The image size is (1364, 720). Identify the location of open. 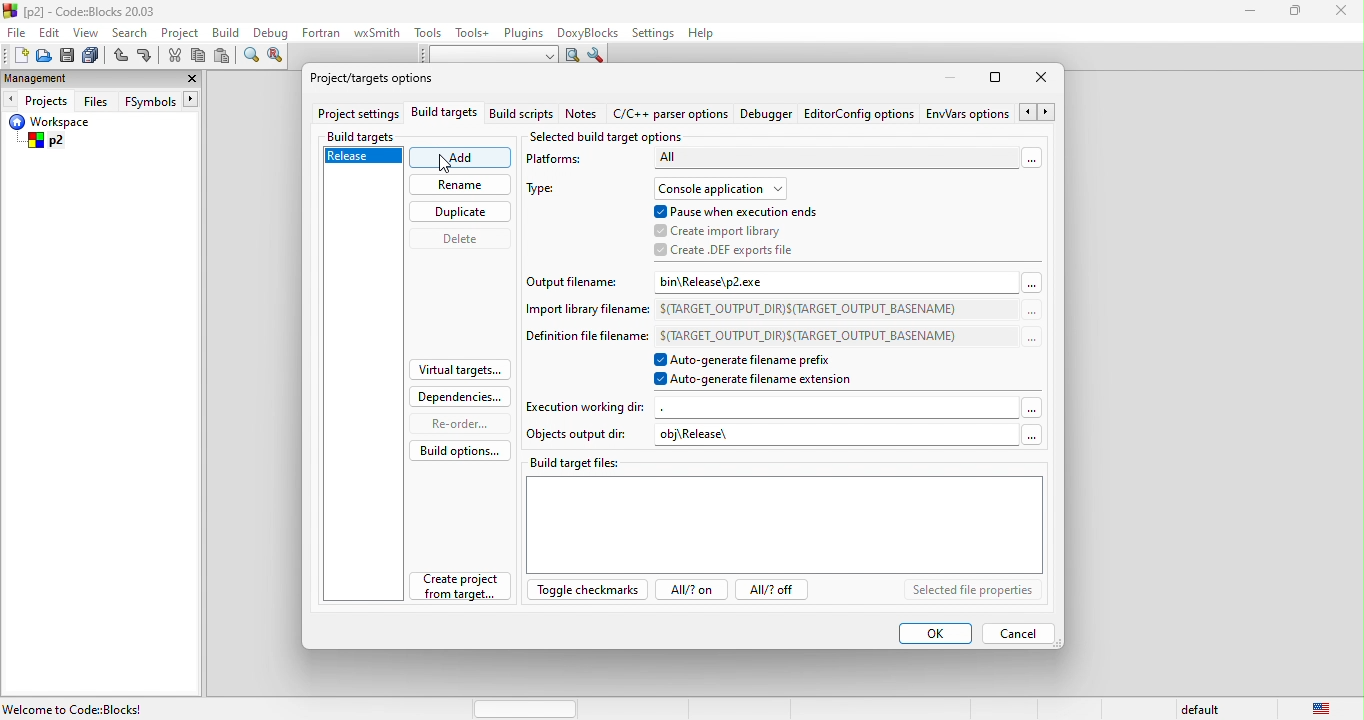
(44, 56).